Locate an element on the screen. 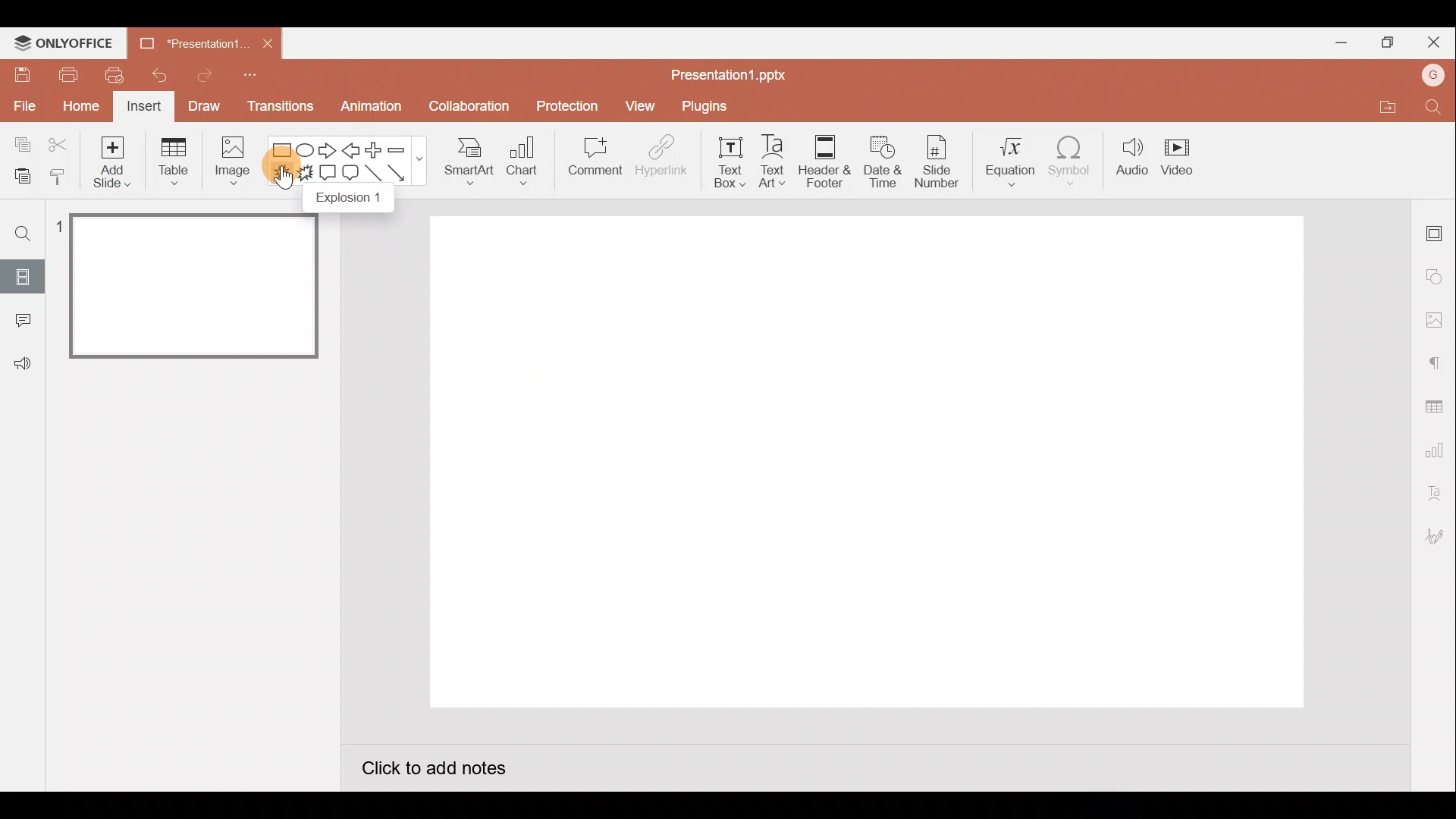 This screenshot has height=819, width=1456. Shape settings is located at coordinates (1437, 275).